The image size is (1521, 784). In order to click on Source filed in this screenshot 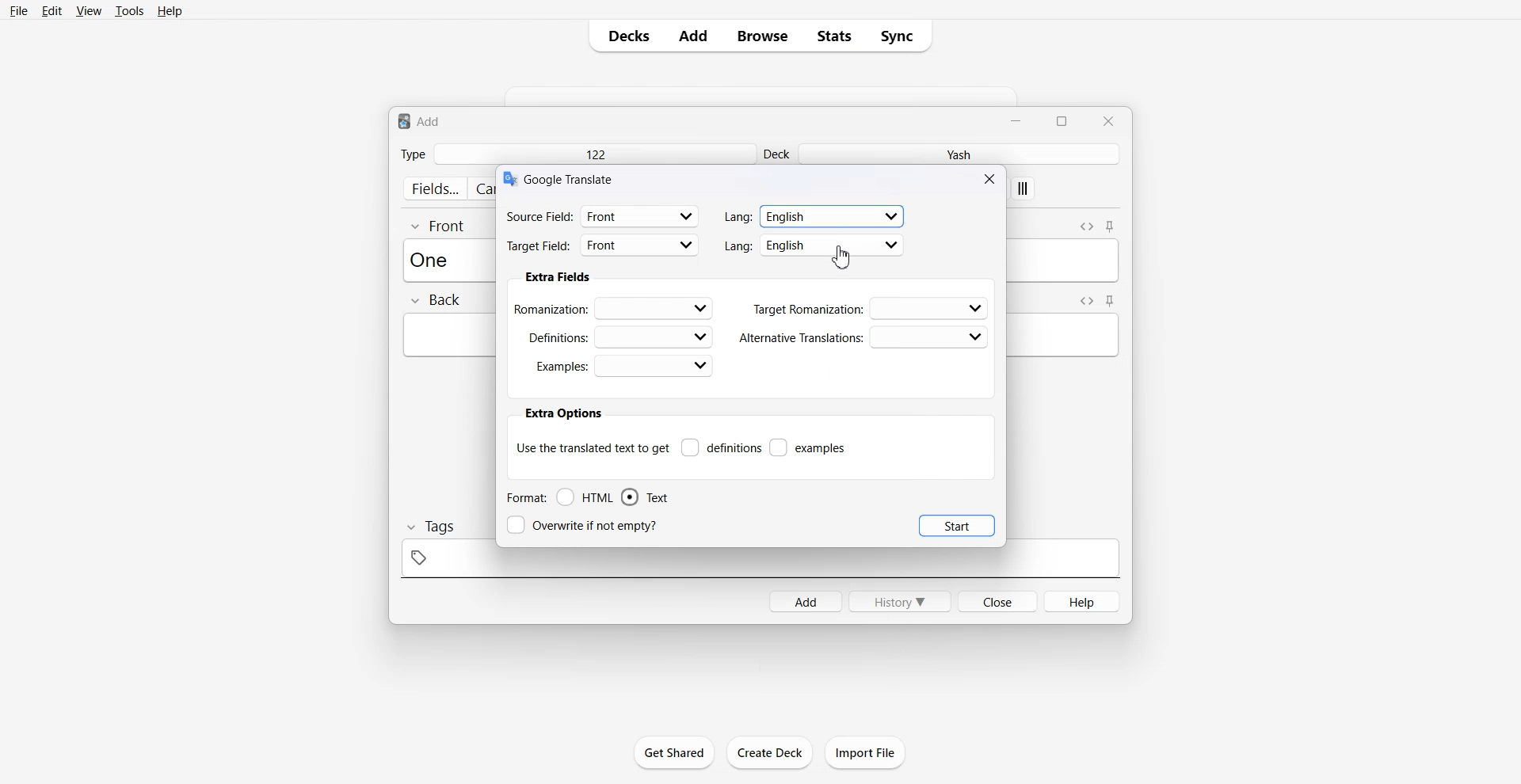, I will do `click(603, 215)`.